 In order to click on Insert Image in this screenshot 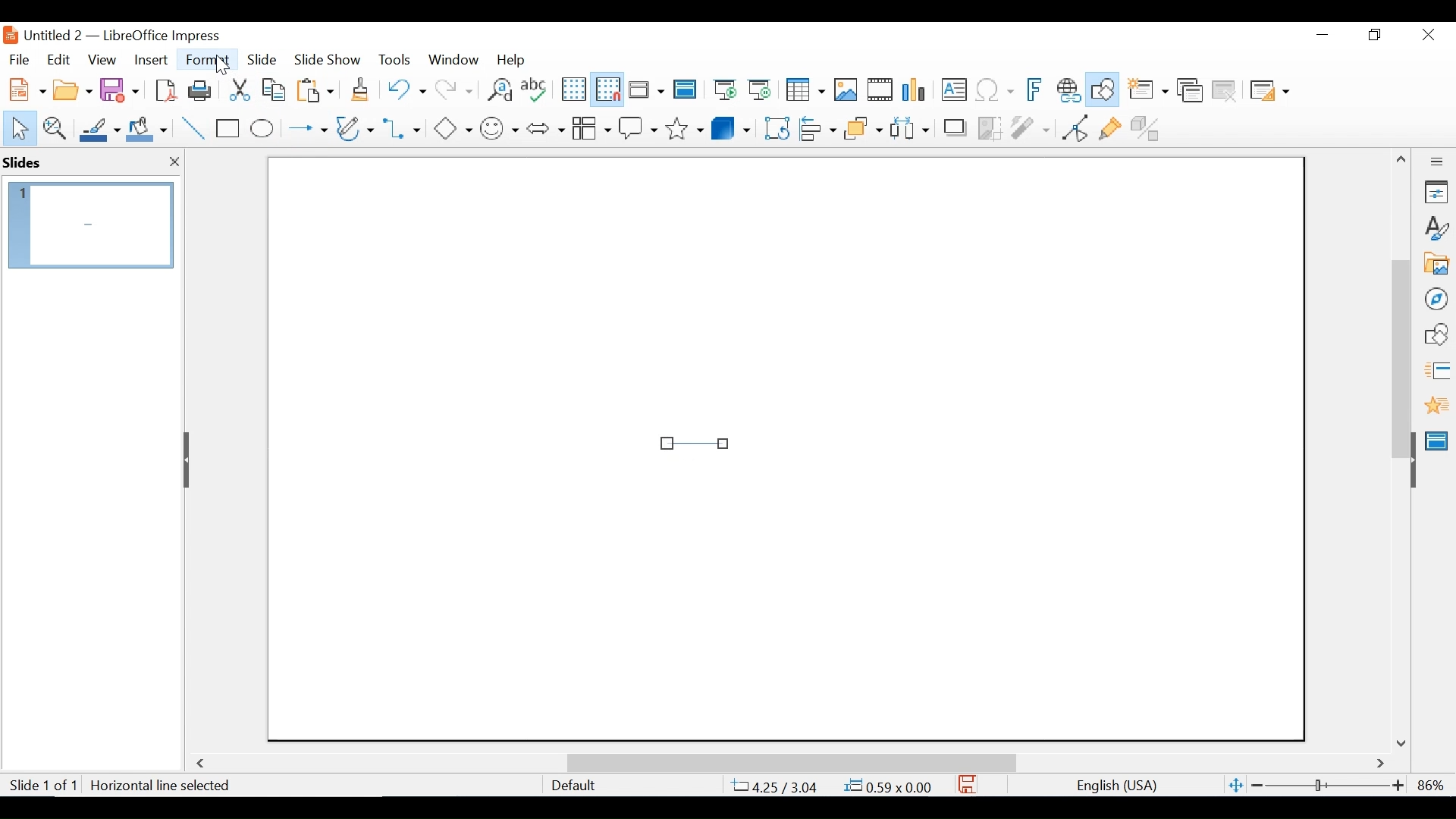, I will do `click(845, 90)`.